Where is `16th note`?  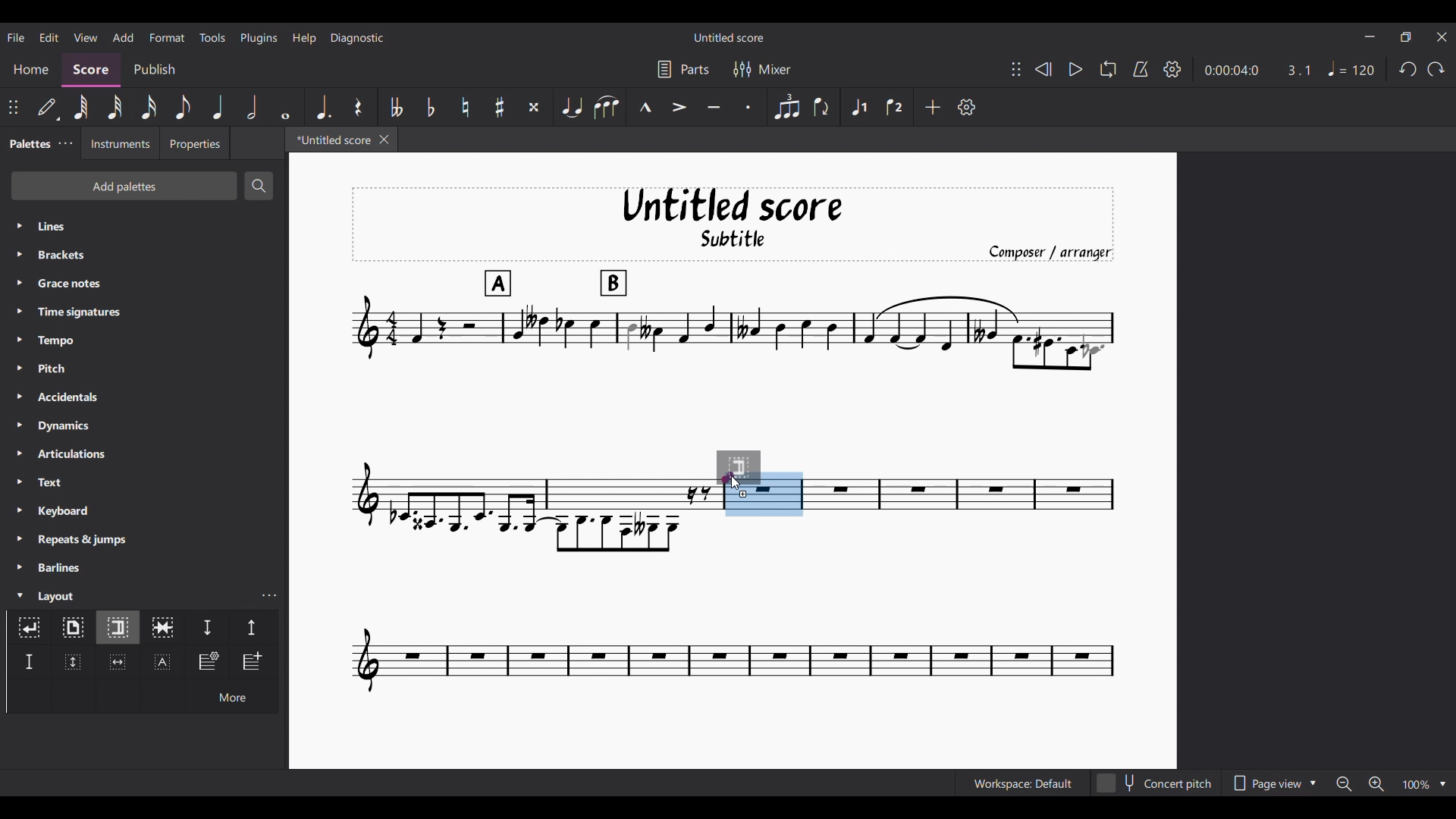
16th note is located at coordinates (149, 107).